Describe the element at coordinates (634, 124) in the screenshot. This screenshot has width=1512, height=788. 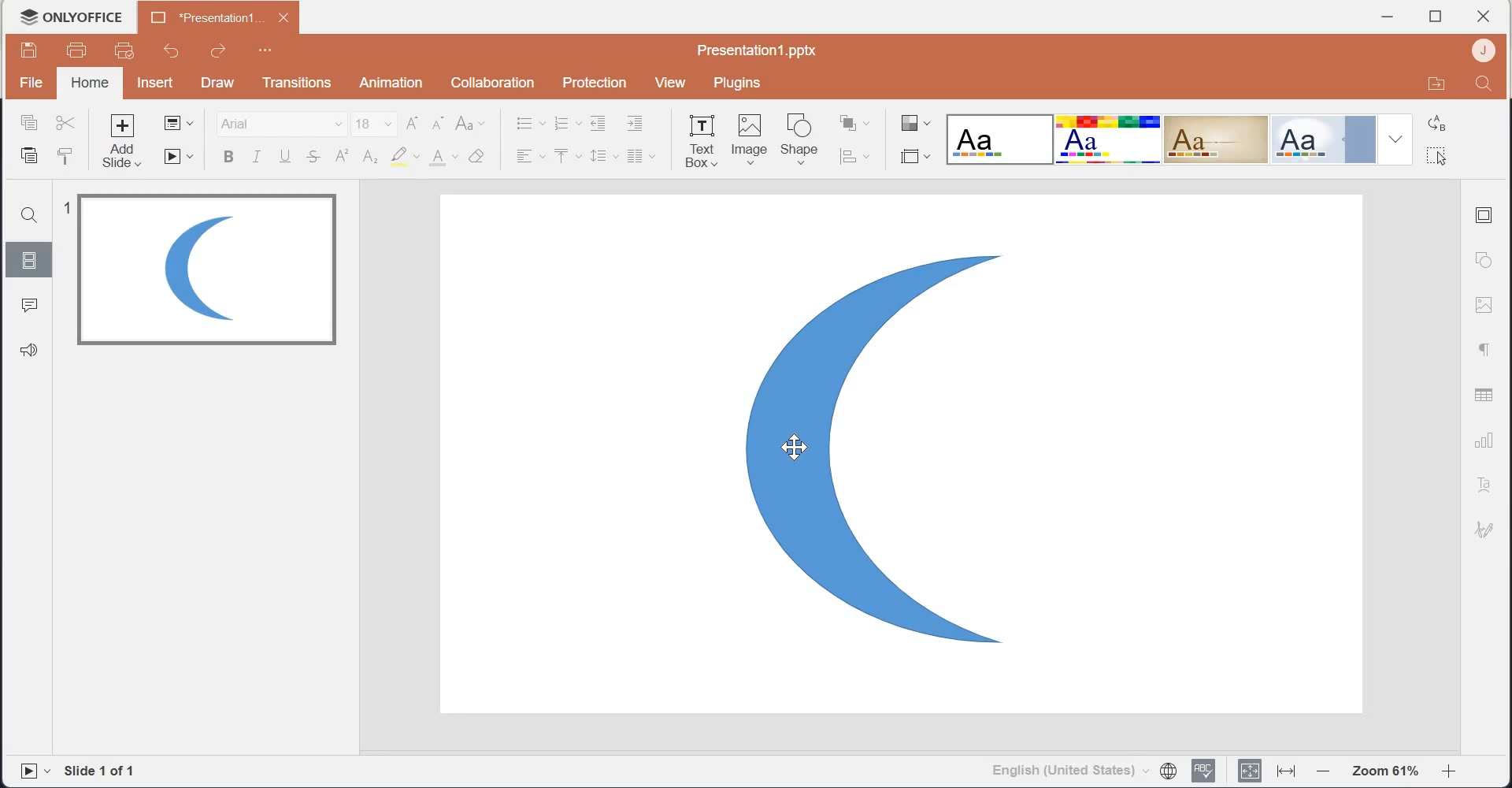
I see `Increase Indent` at that location.